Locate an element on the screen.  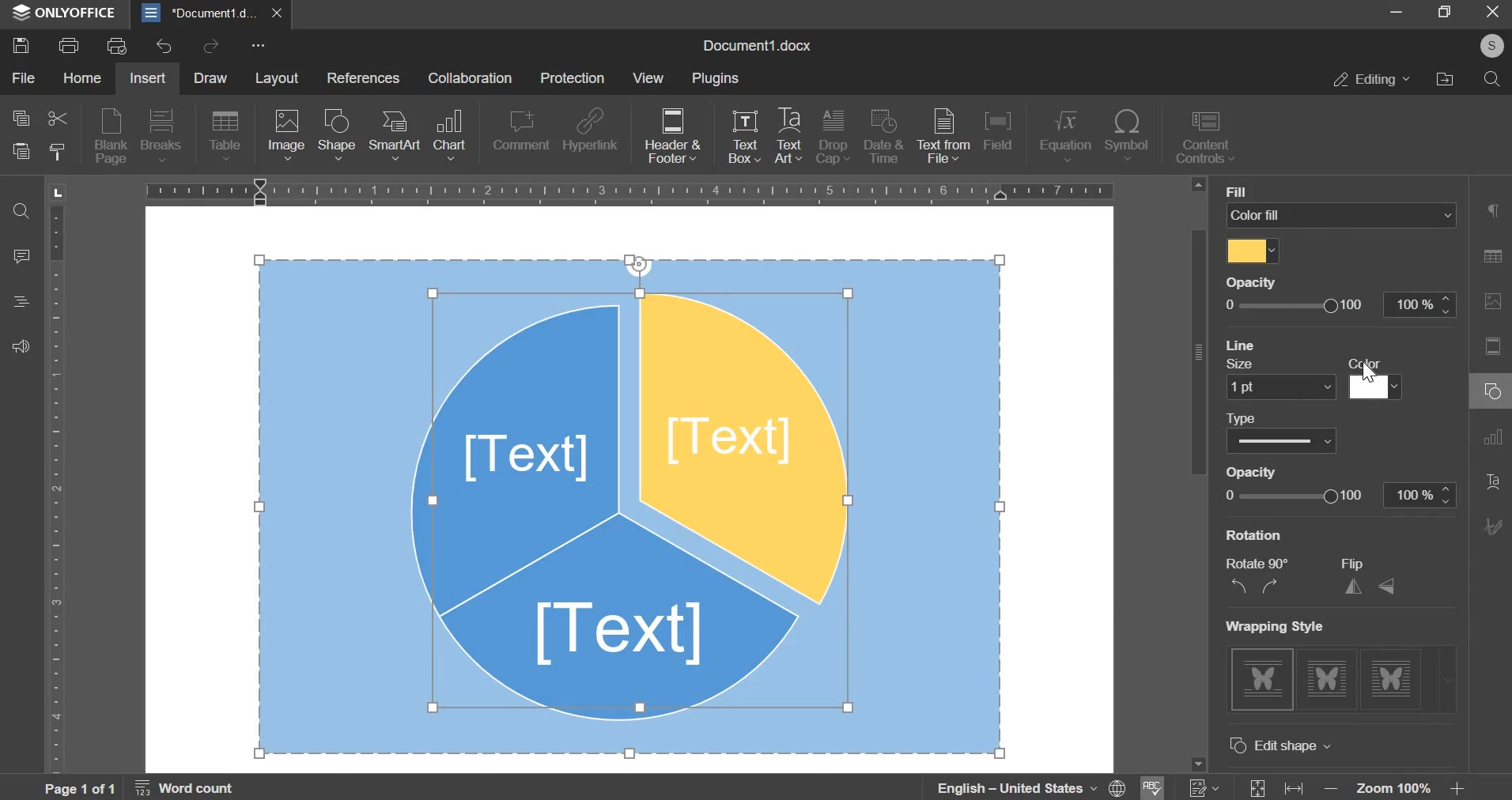
insert is located at coordinates (148, 79).